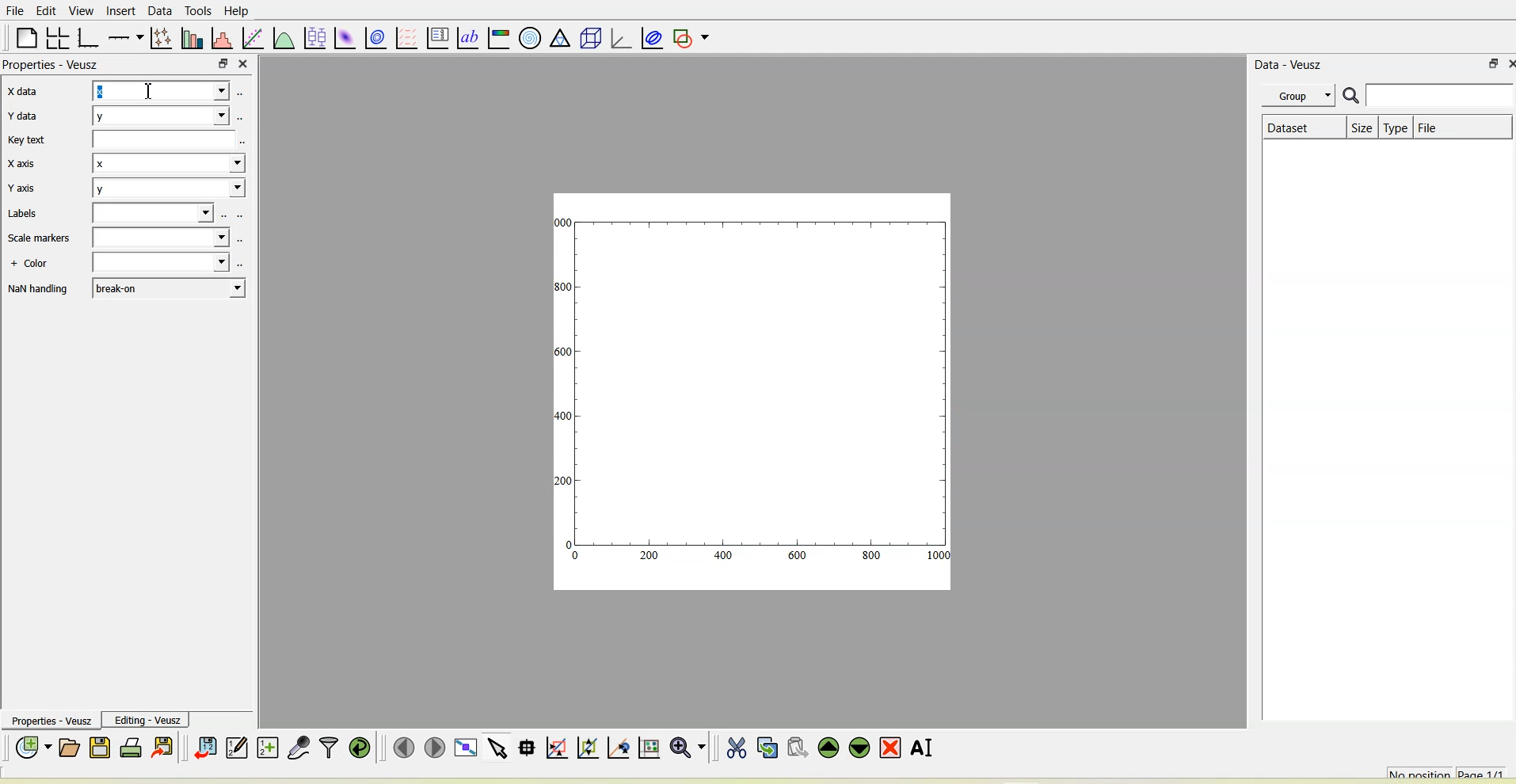 This screenshot has height=784, width=1516. What do you see at coordinates (921, 746) in the screenshot?
I see `Renames the selected widget` at bounding box center [921, 746].